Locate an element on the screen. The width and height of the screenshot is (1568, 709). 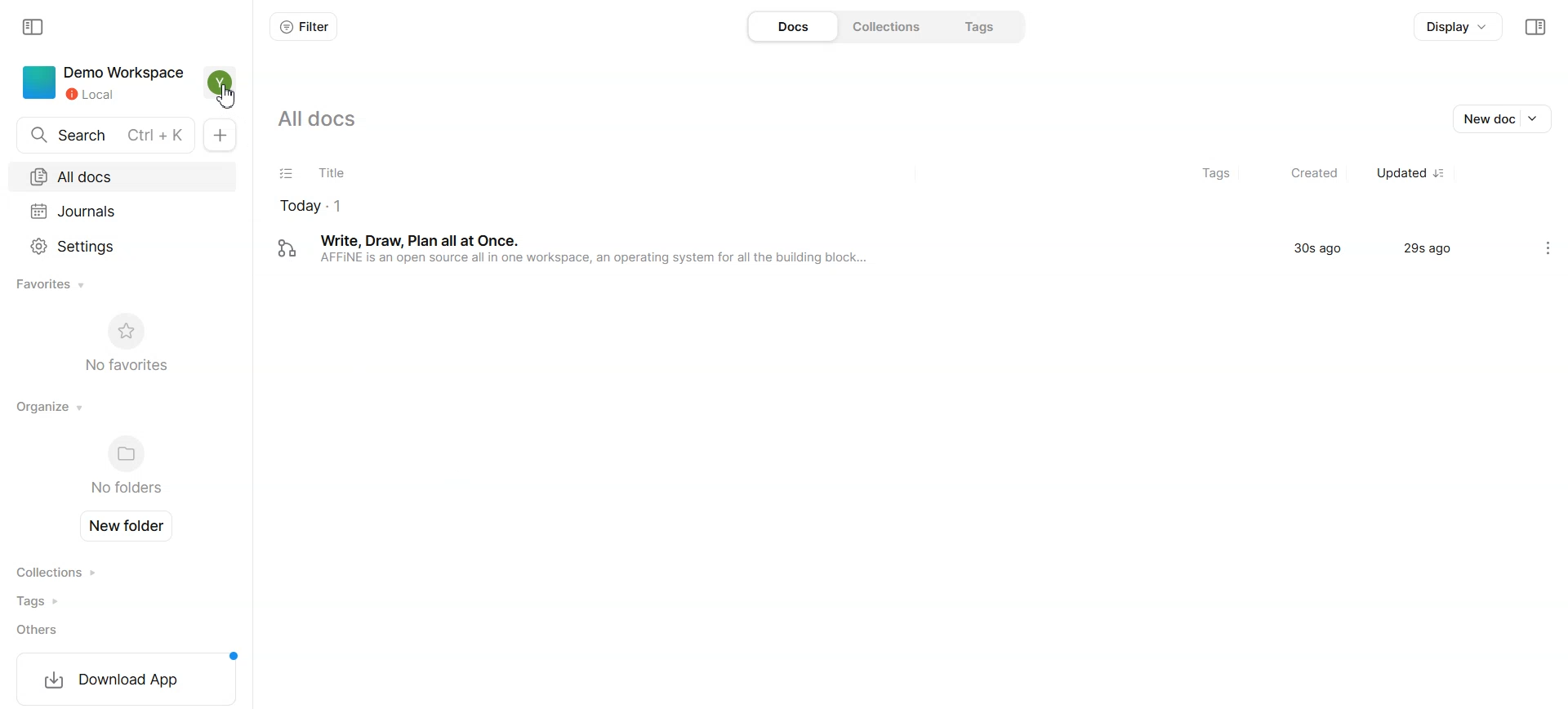
Demo Workspace is located at coordinates (100, 82).